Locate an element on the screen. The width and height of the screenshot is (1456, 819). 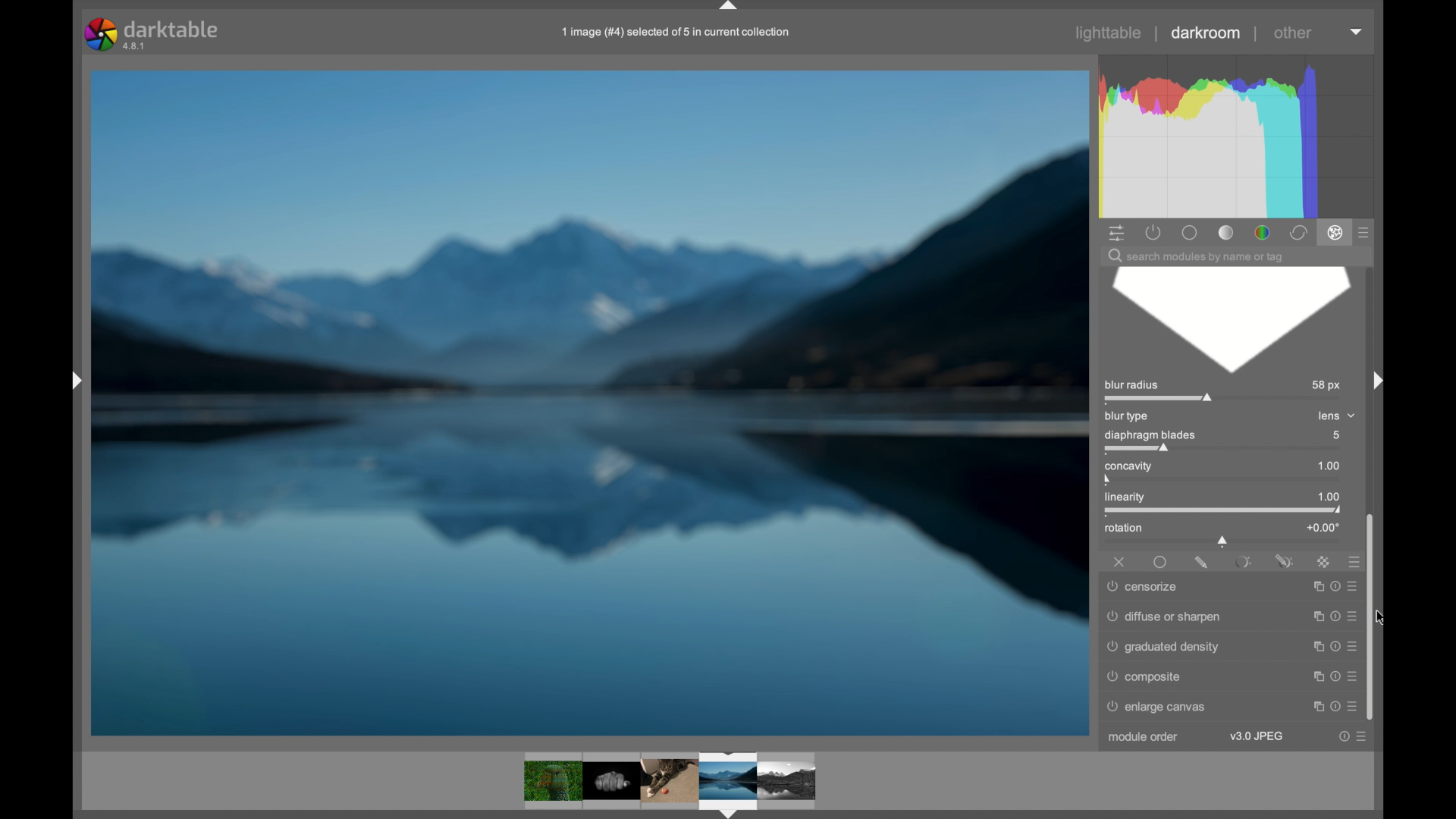
lighttable is located at coordinates (1110, 33).